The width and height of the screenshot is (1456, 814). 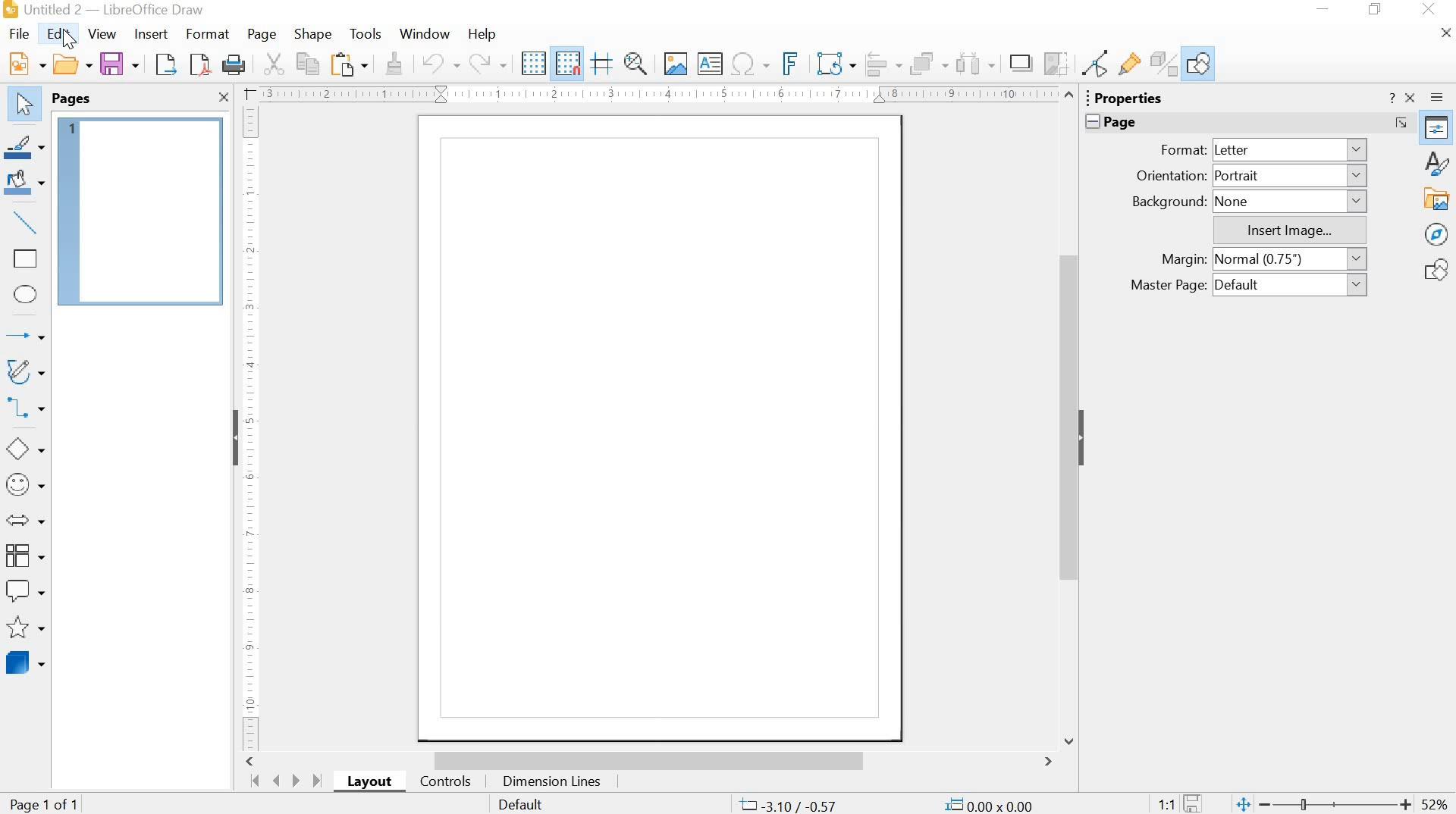 What do you see at coordinates (650, 759) in the screenshot?
I see `scrollbar` at bounding box center [650, 759].